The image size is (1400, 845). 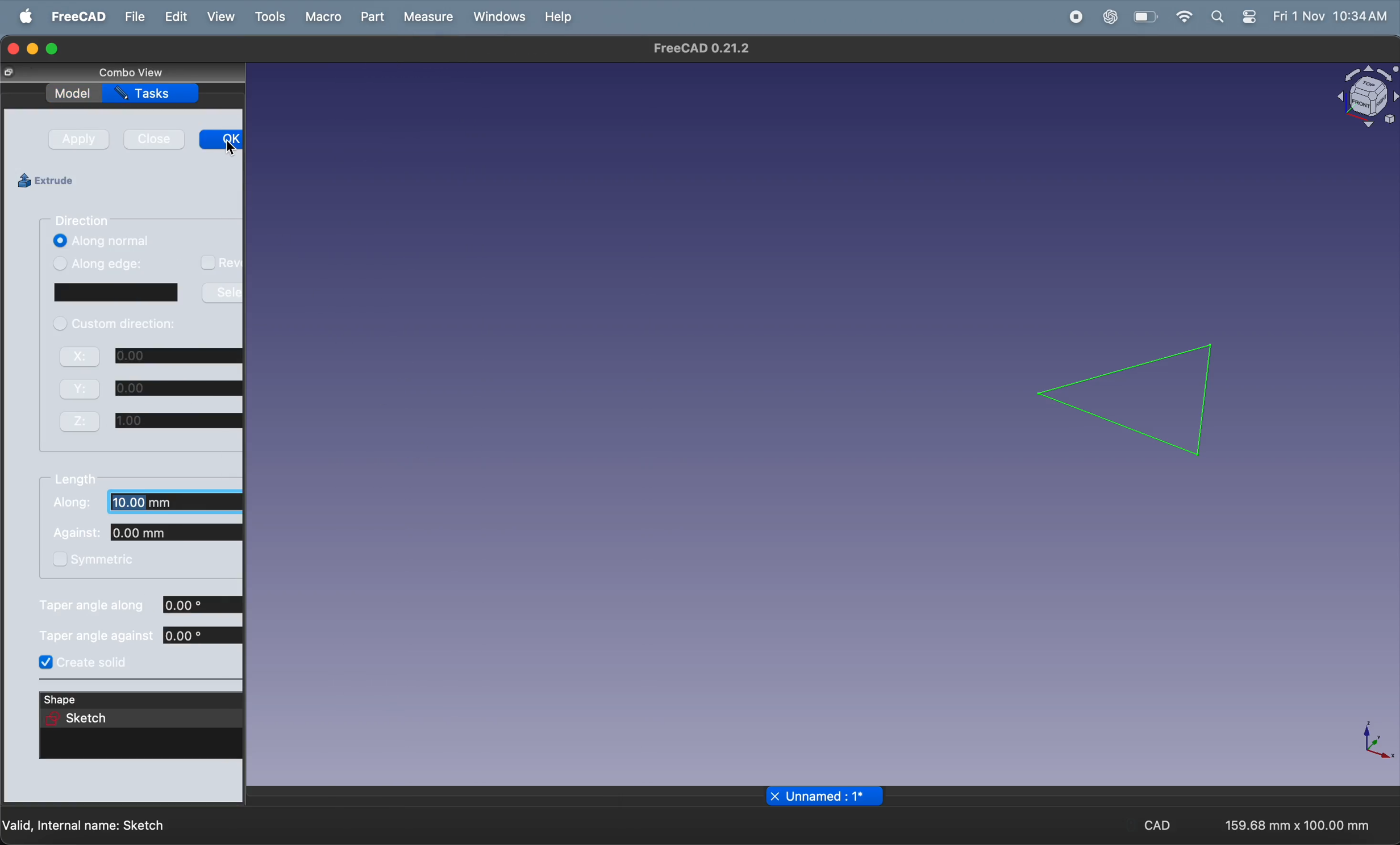 I want to click on checkbox , so click(x=61, y=323).